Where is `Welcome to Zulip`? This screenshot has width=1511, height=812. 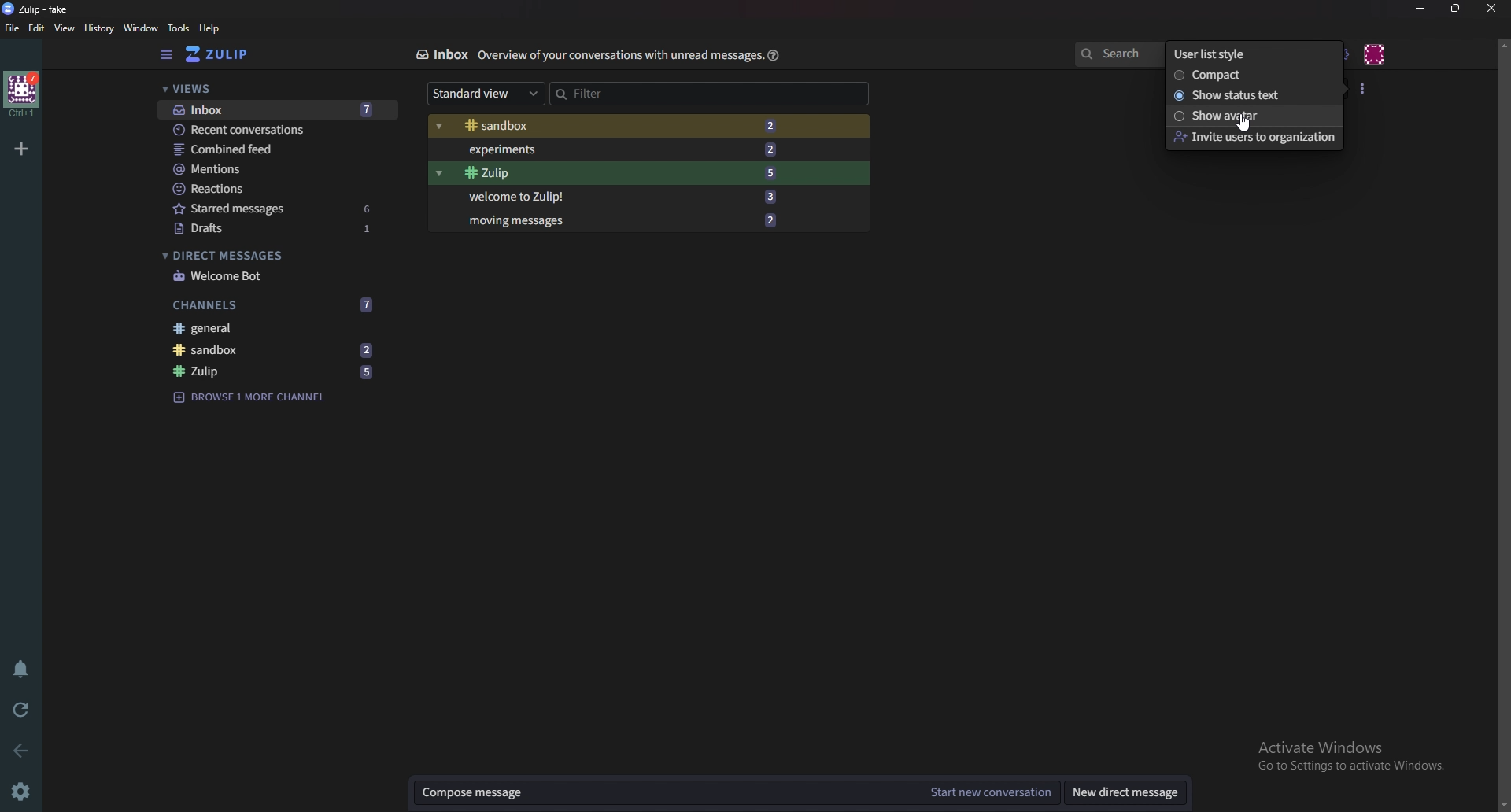
Welcome to Zulip is located at coordinates (619, 195).